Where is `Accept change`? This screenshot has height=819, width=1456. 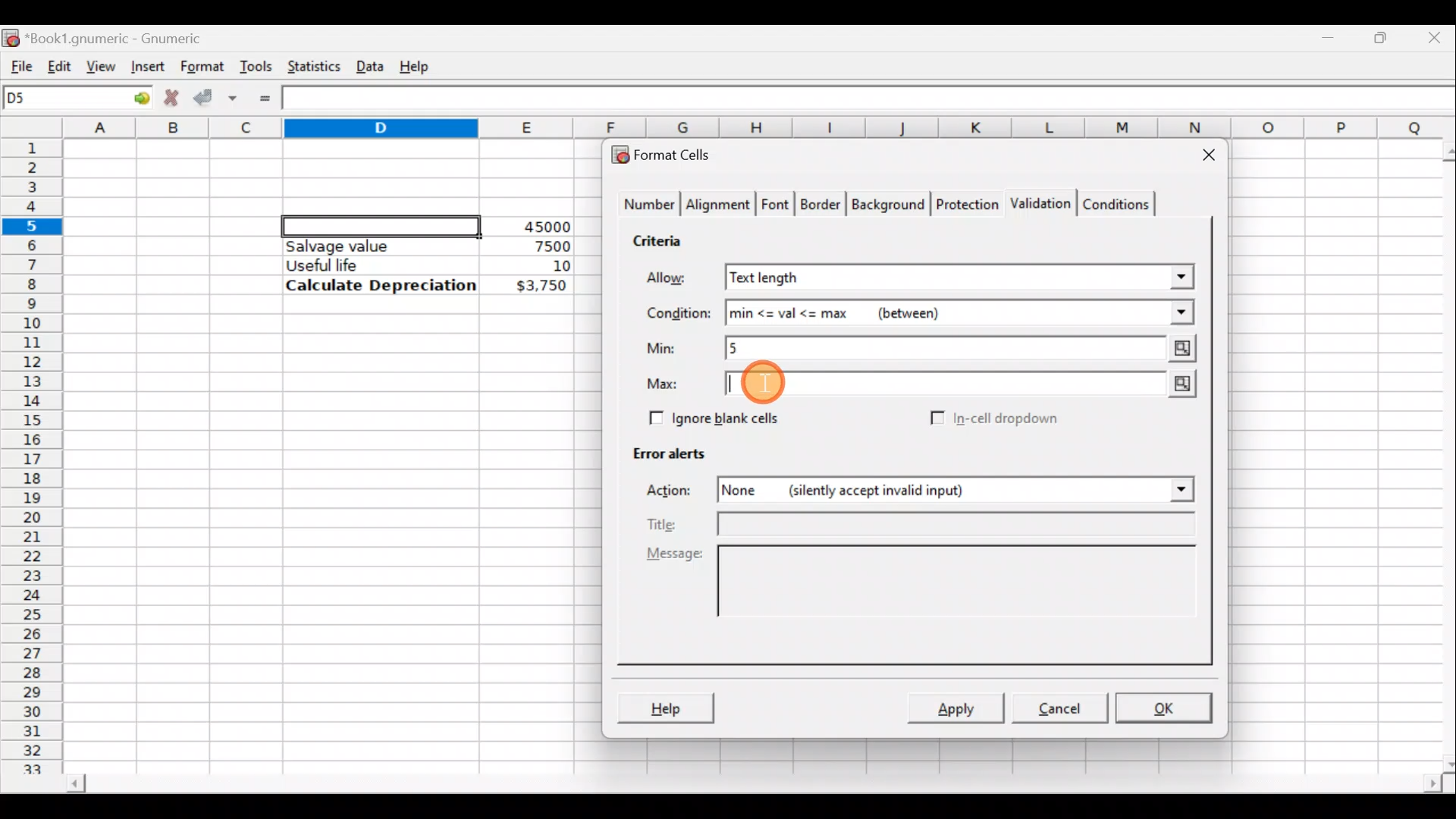
Accept change is located at coordinates (215, 96).